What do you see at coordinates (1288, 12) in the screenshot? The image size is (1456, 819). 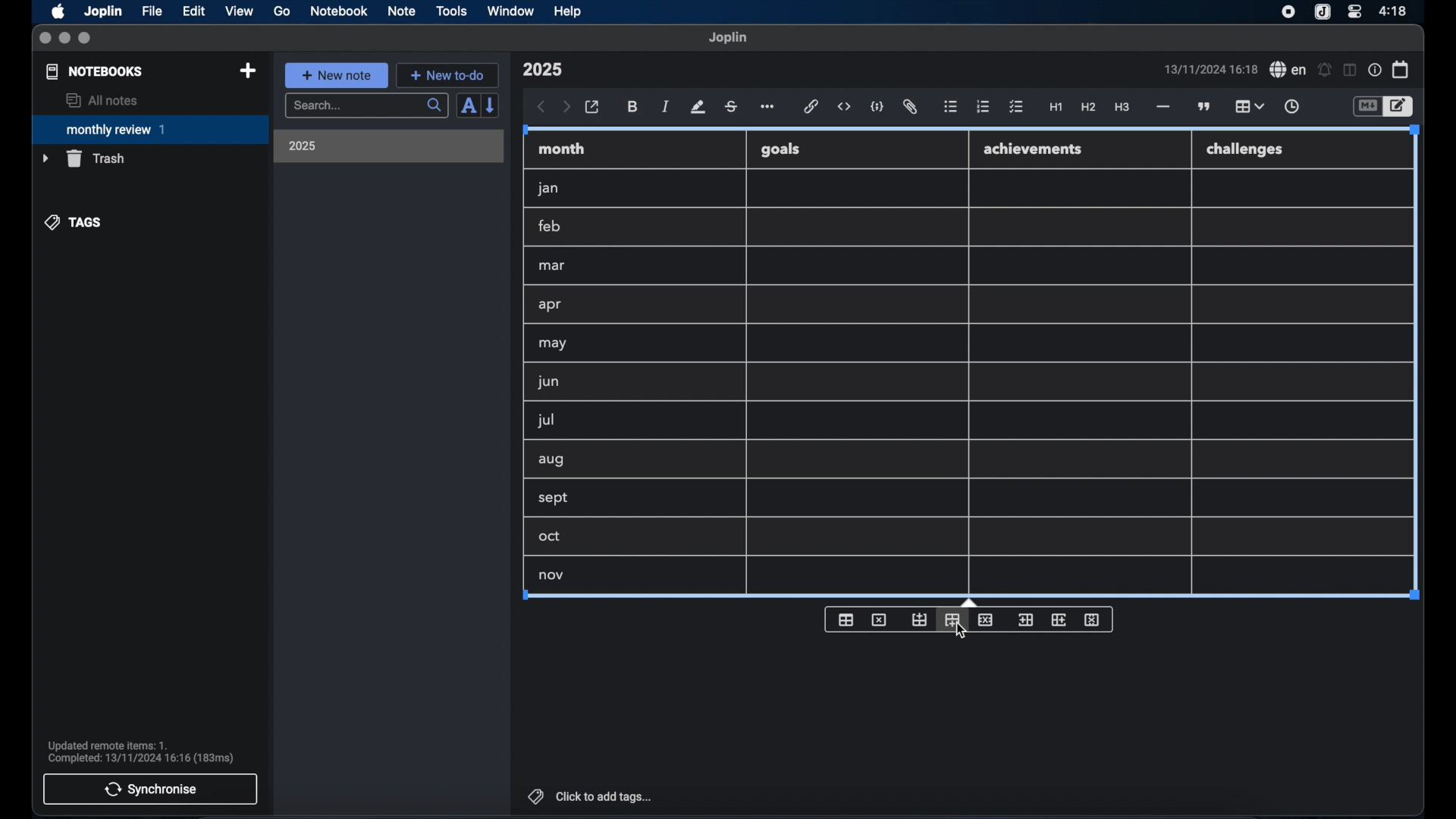 I see `screen recorder icon` at bounding box center [1288, 12].